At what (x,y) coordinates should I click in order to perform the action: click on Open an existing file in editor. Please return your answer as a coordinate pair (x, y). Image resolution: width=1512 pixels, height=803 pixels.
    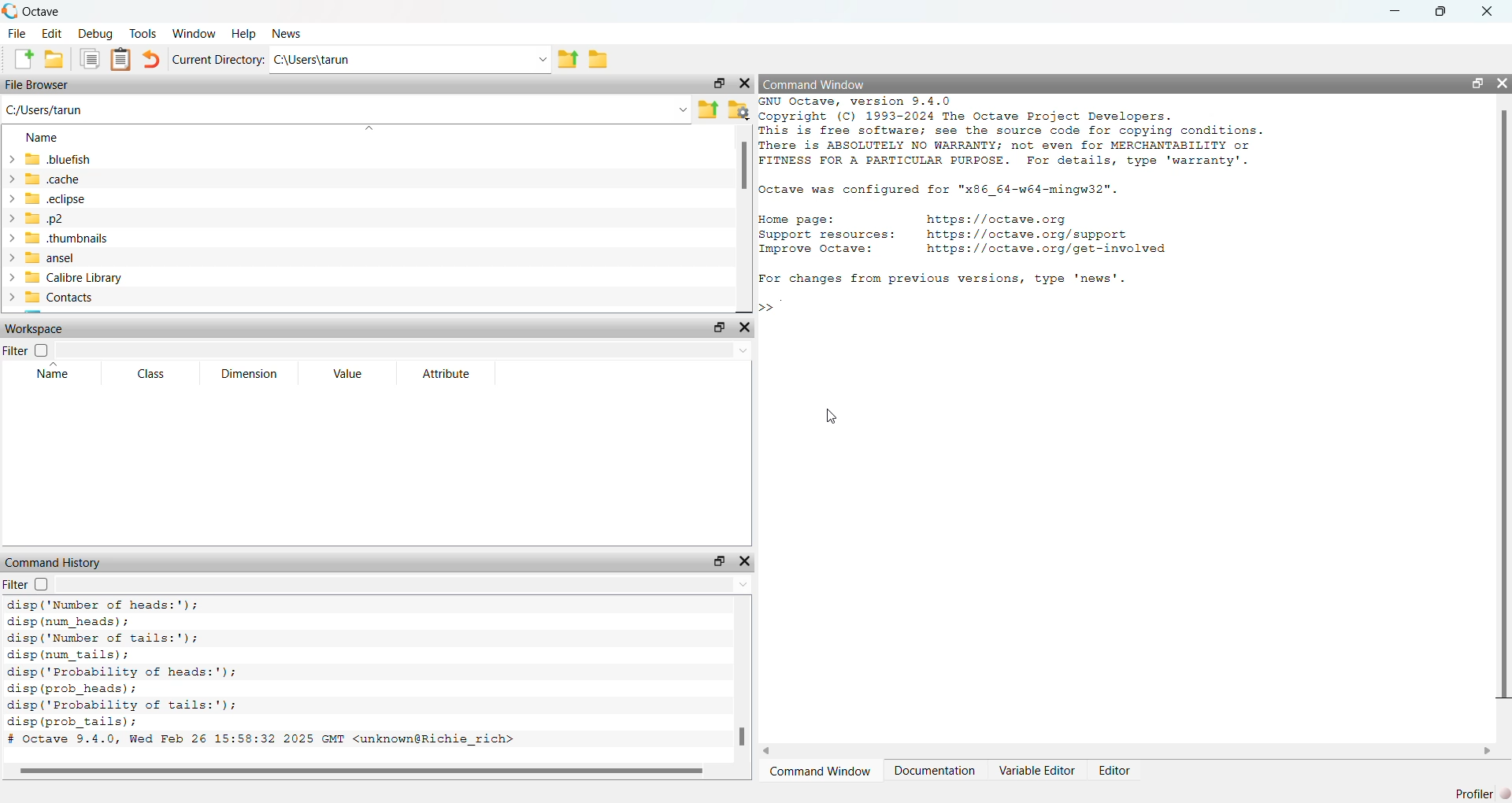
    Looking at the image, I should click on (54, 58).